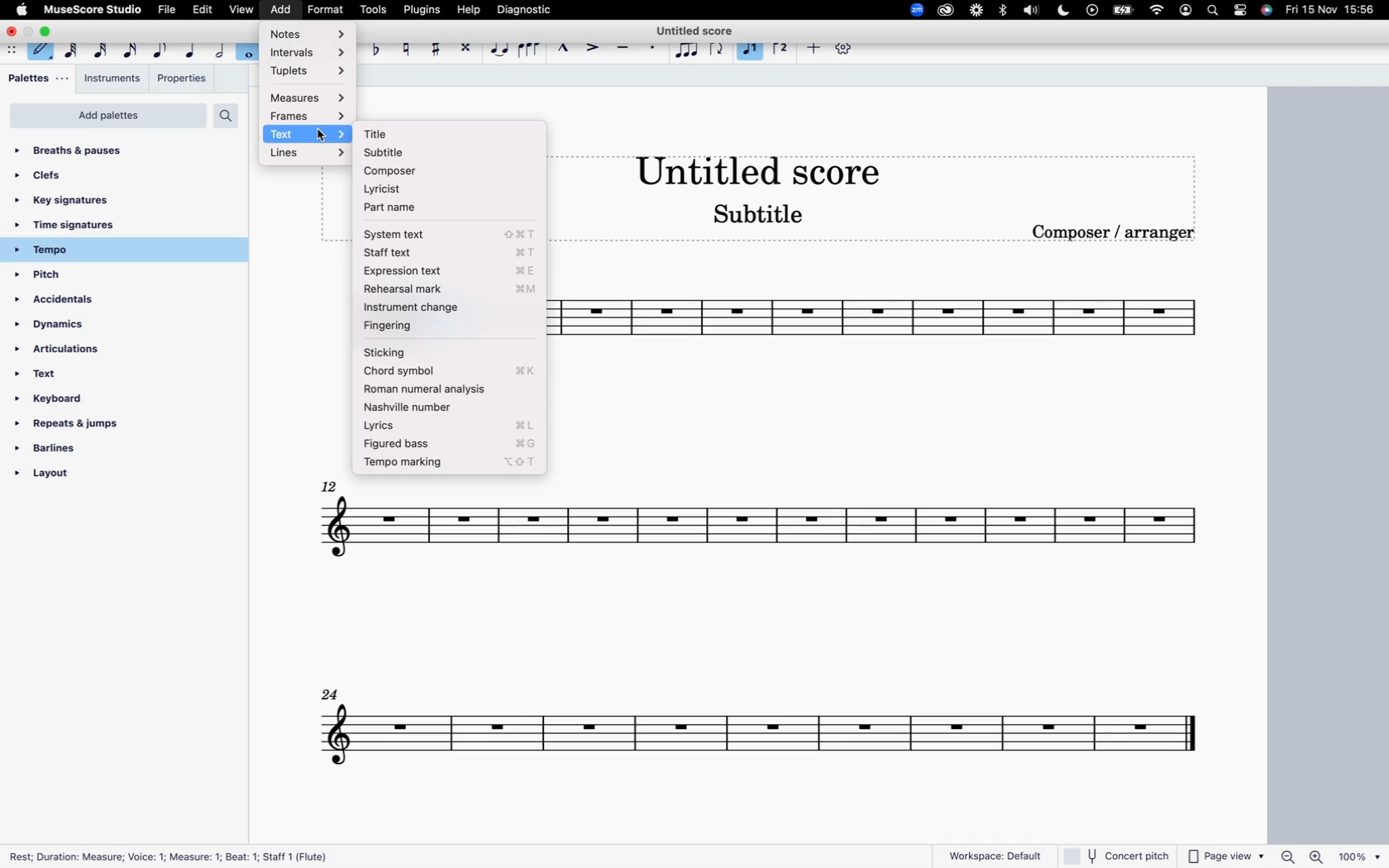  Describe the element at coordinates (752, 737) in the screenshot. I see `score` at that location.